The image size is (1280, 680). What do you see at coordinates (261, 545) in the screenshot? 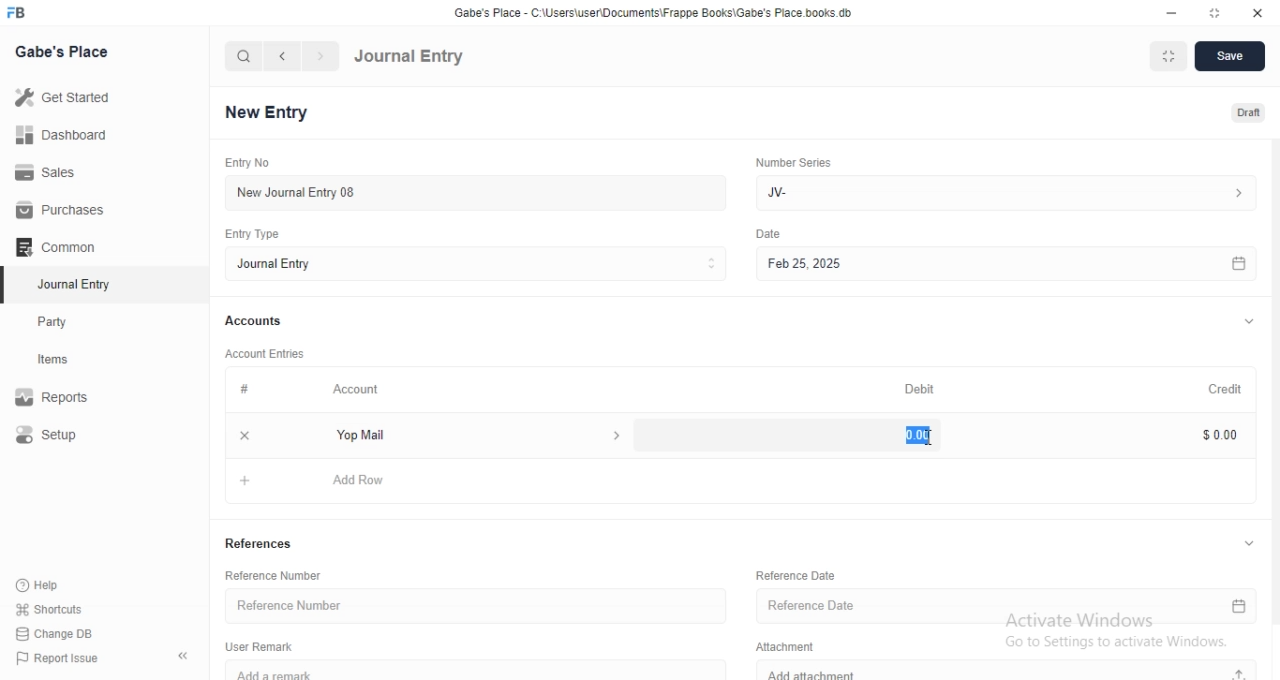
I see `References` at bounding box center [261, 545].